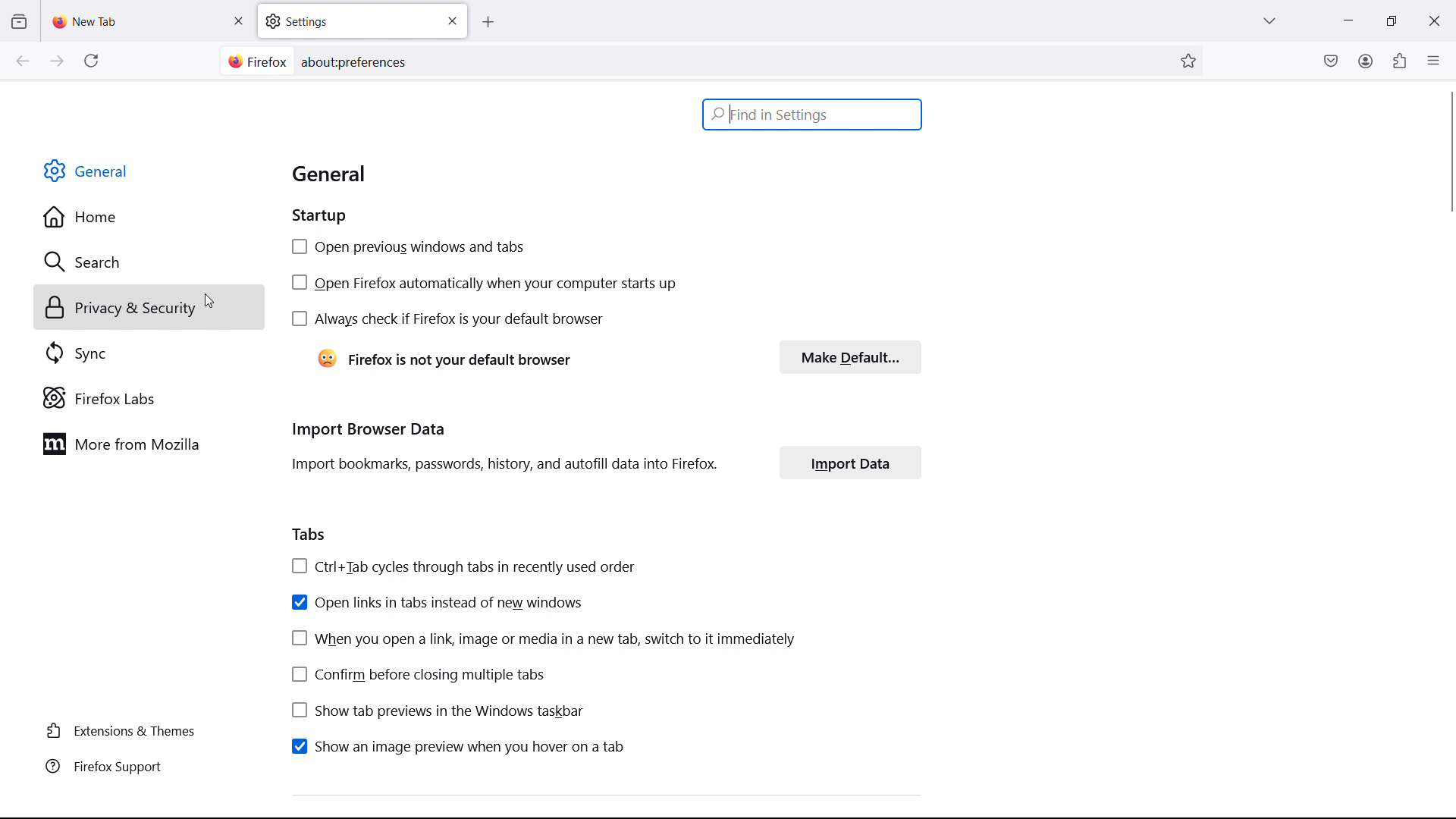  What do you see at coordinates (849, 359) in the screenshot?
I see `make default` at bounding box center [849, 359].